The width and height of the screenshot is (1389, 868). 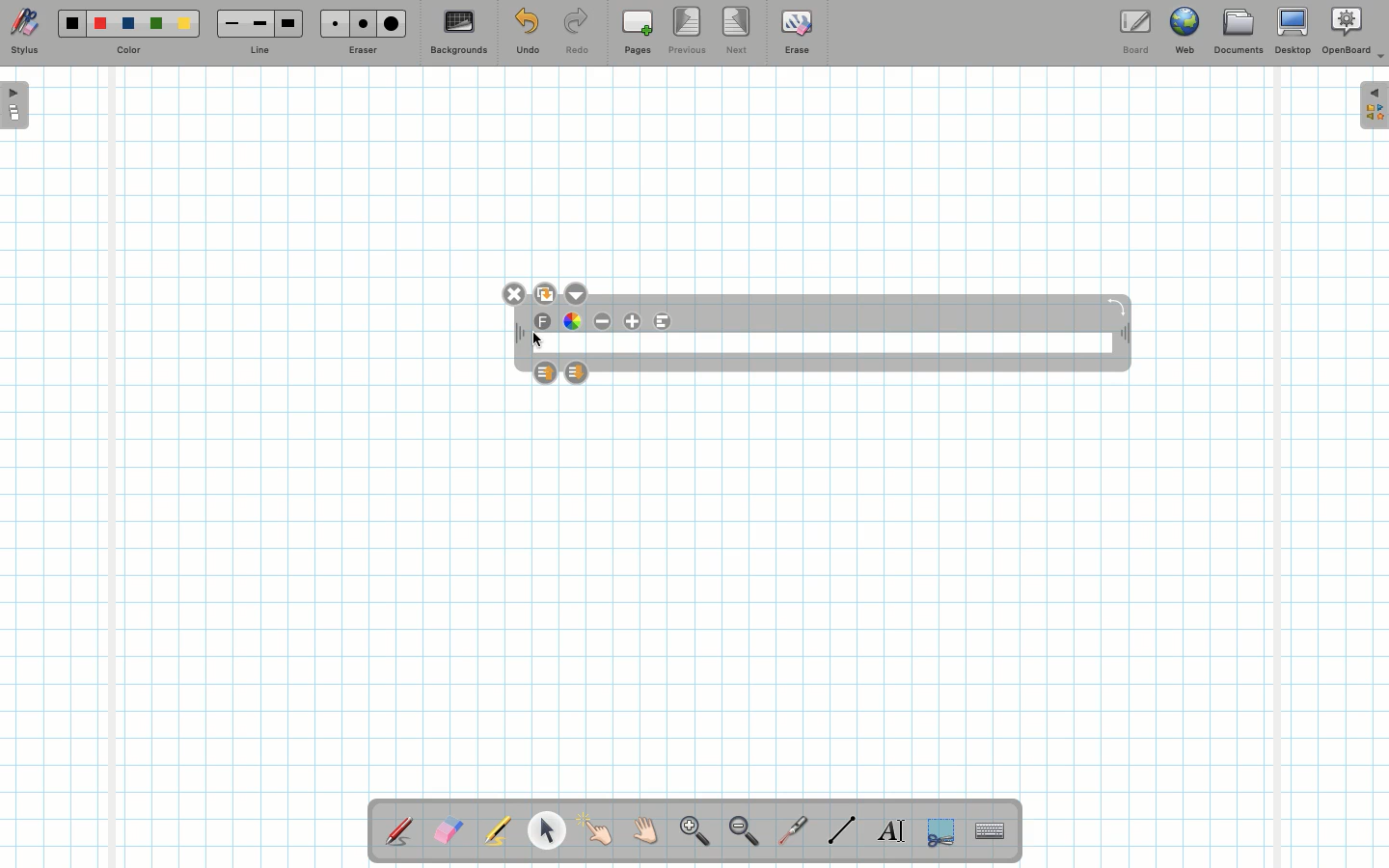 What do you see at coordinates (101, 24) in the screenshot?
I see `Red` at bounding box center [101, 24].